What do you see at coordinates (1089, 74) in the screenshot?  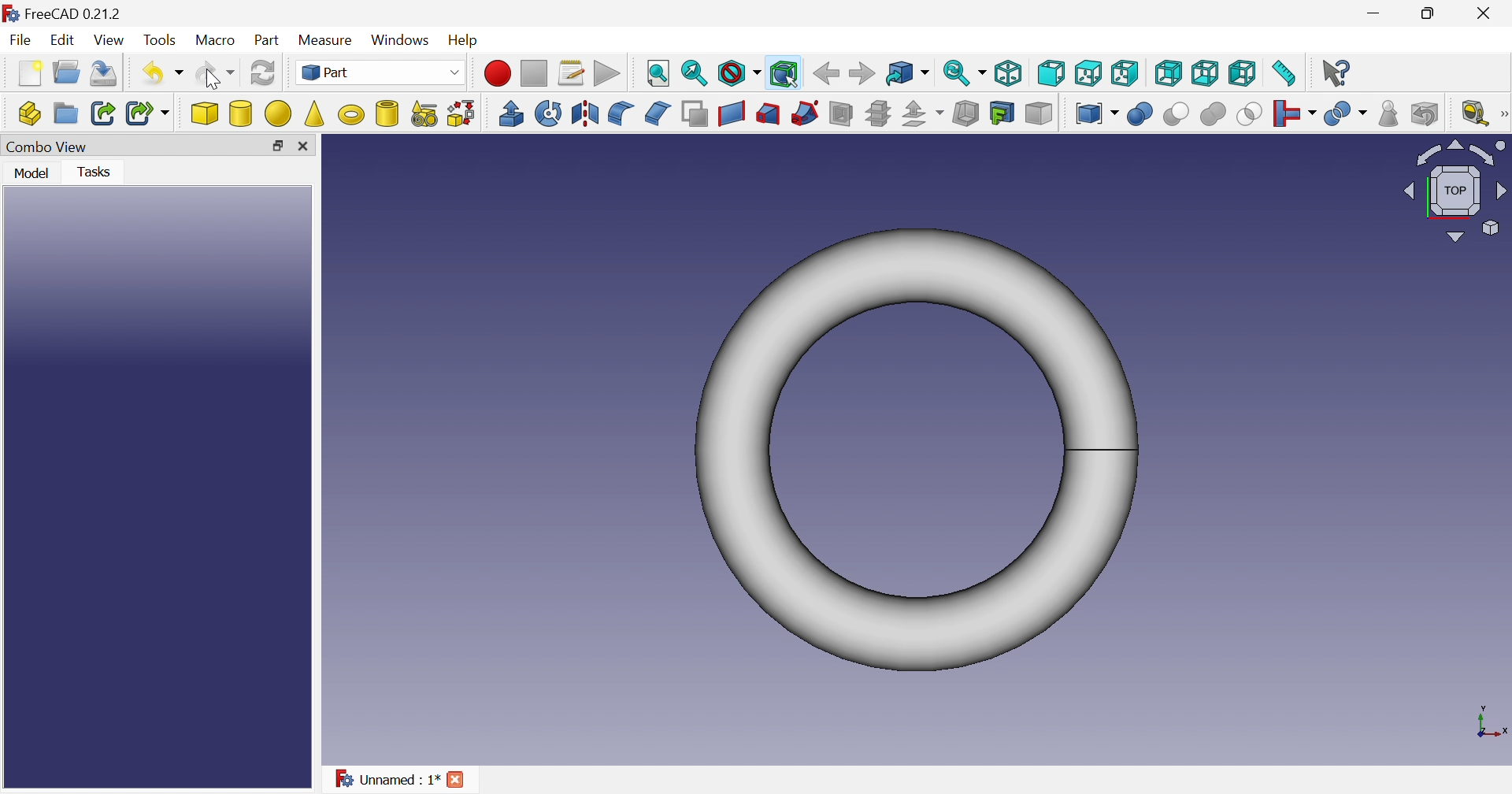 I see `Top` at bounding box center [1089, 74].